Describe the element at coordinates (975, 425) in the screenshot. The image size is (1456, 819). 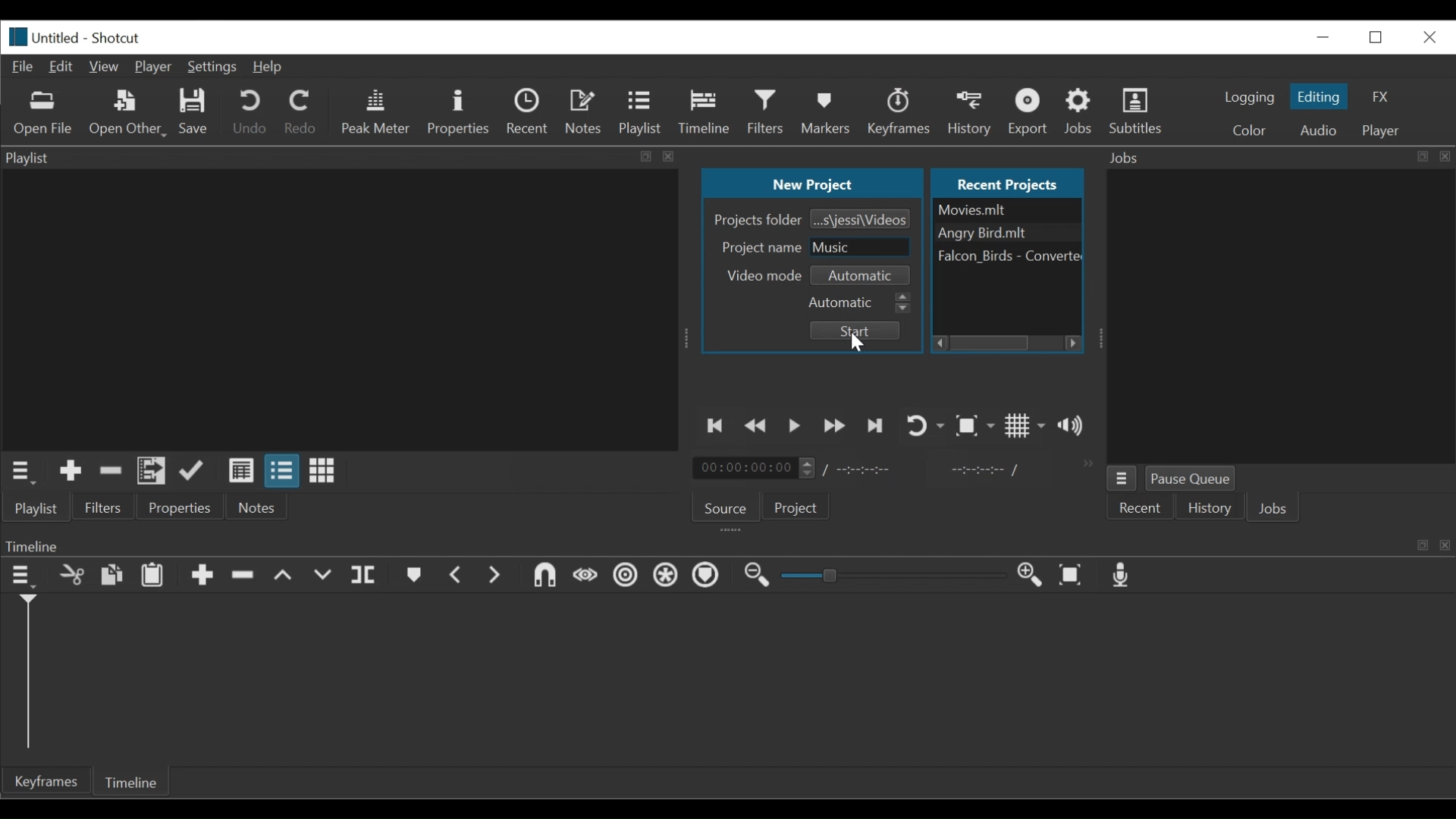
I see `Toggle Zoom` at that location.